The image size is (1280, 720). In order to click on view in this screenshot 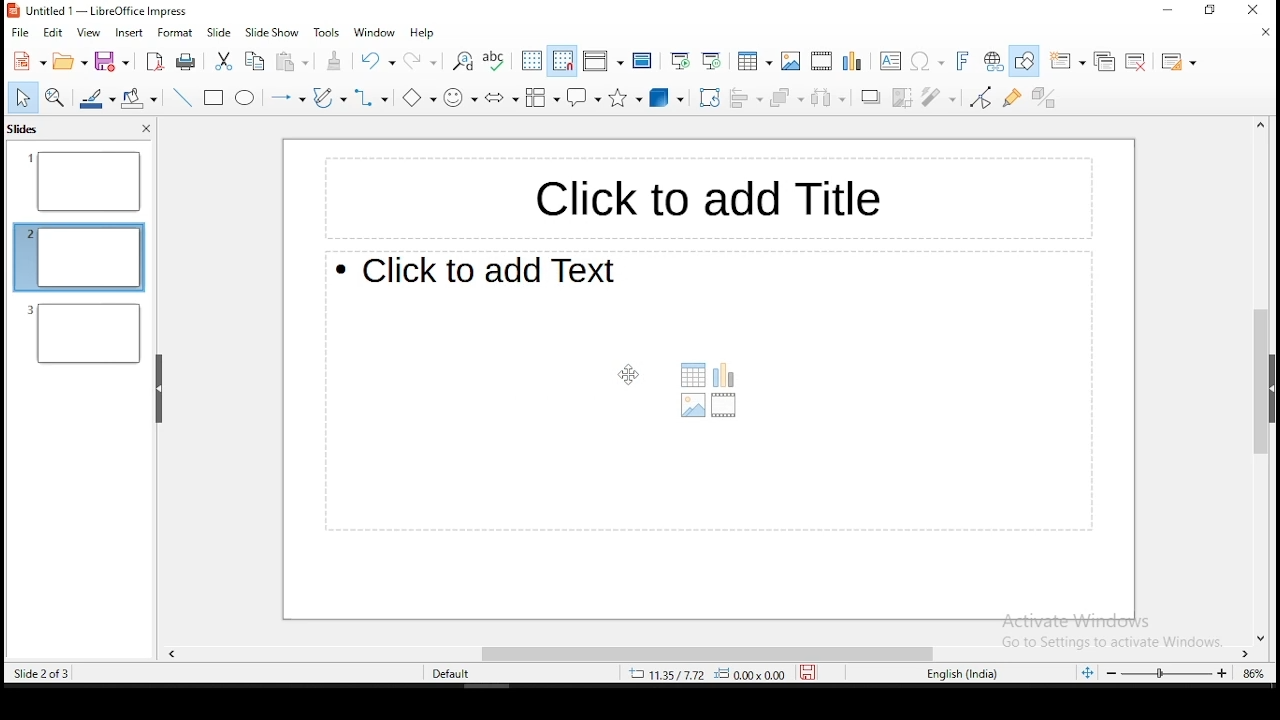, I will do `click(90, 34)`.